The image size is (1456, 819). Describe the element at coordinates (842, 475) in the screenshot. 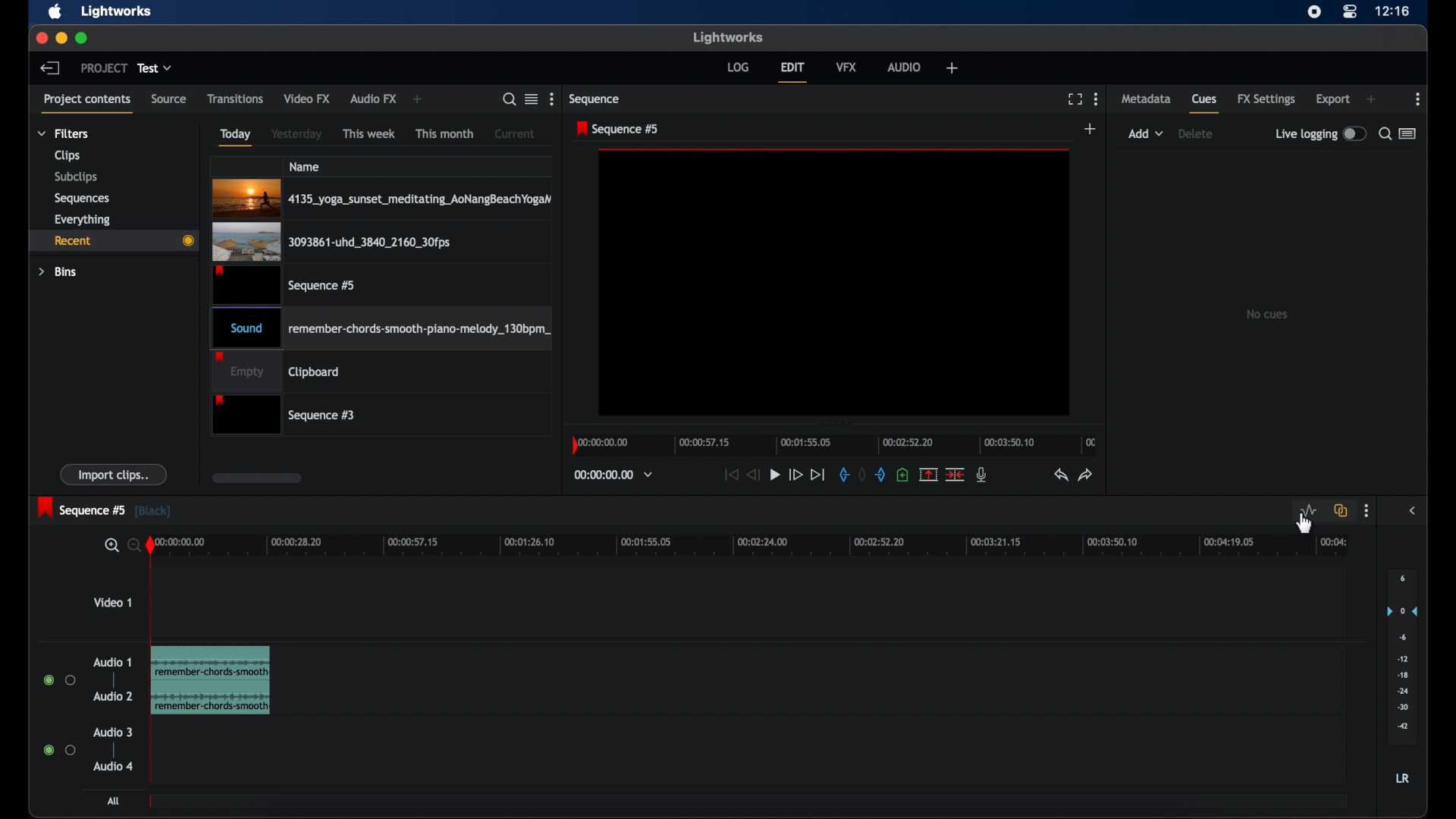

I see `in mark` at that location.